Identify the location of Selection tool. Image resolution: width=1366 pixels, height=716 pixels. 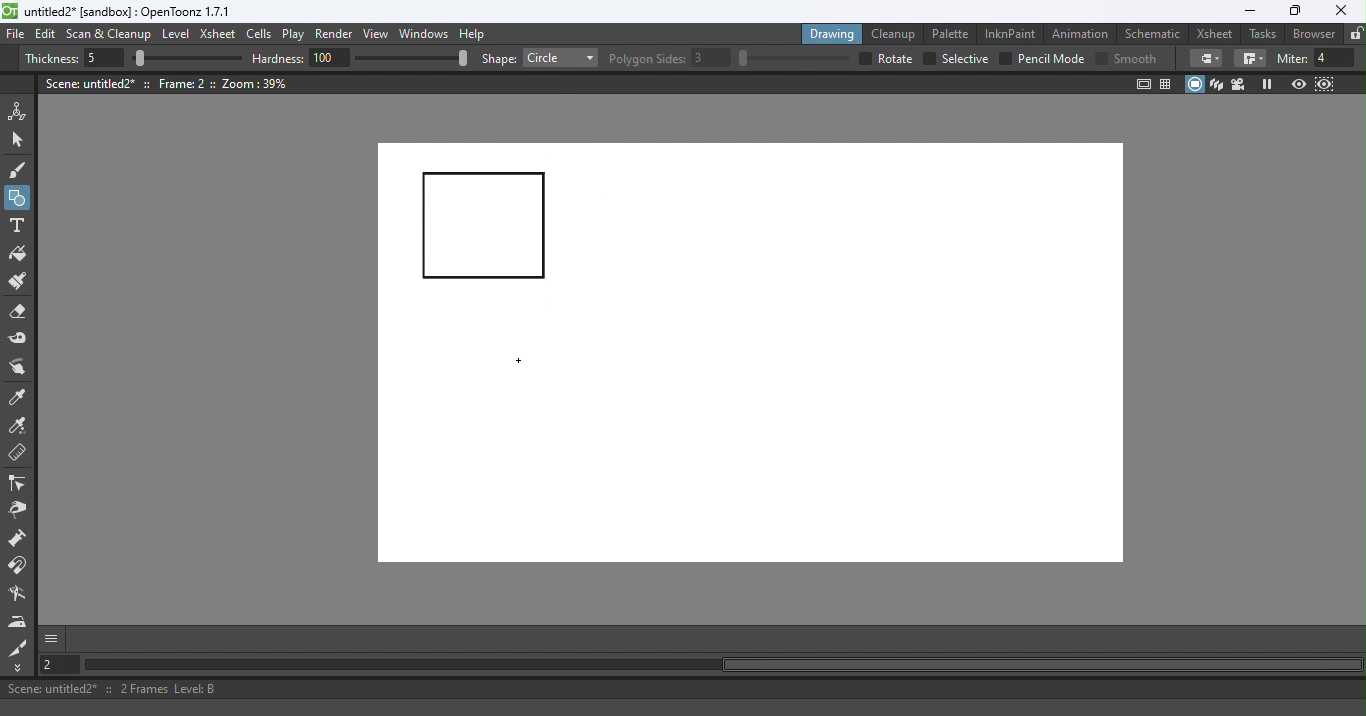
(21, 139).